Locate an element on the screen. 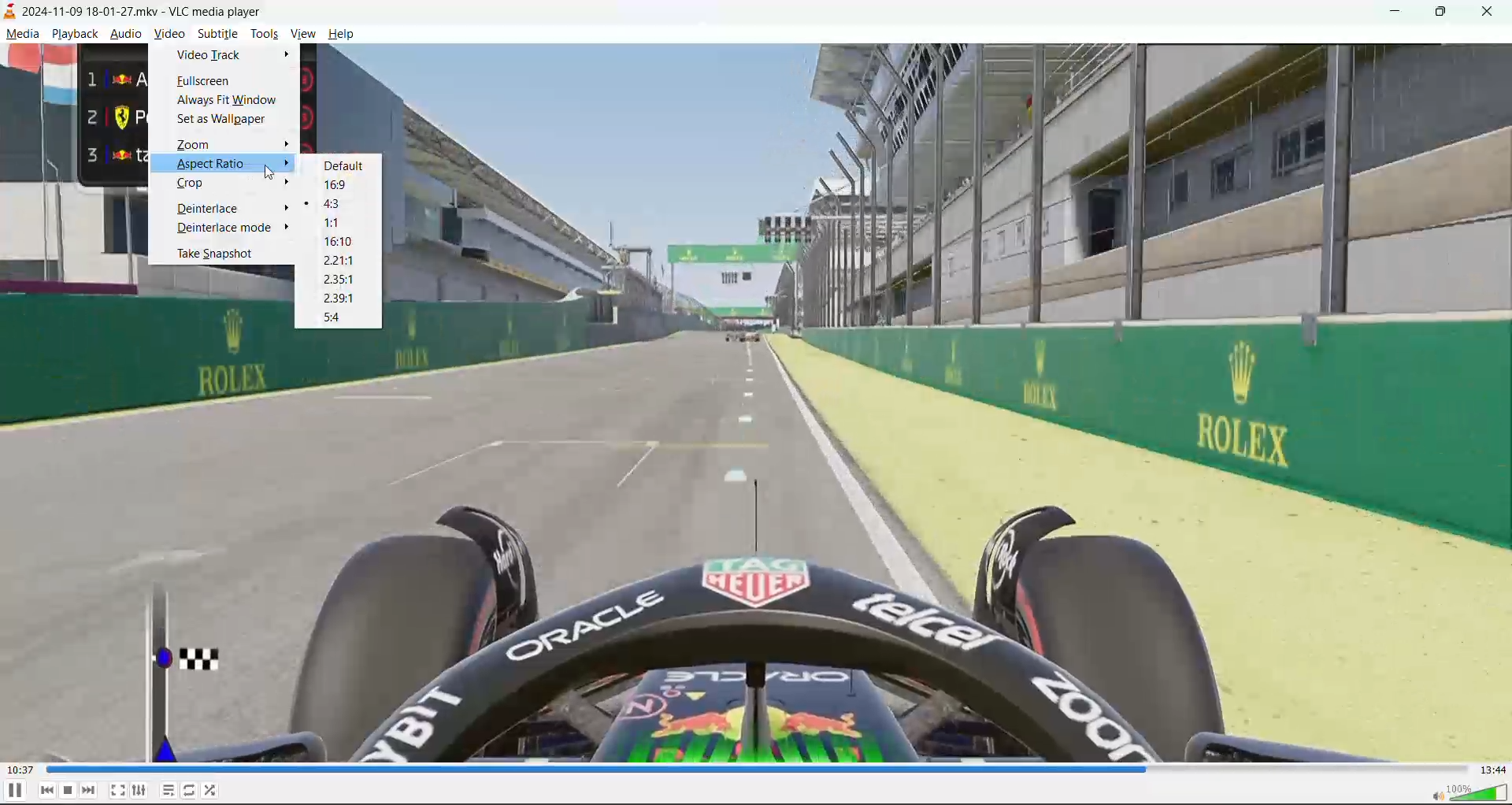  toggle playlist is located at coordinates (168, 792).